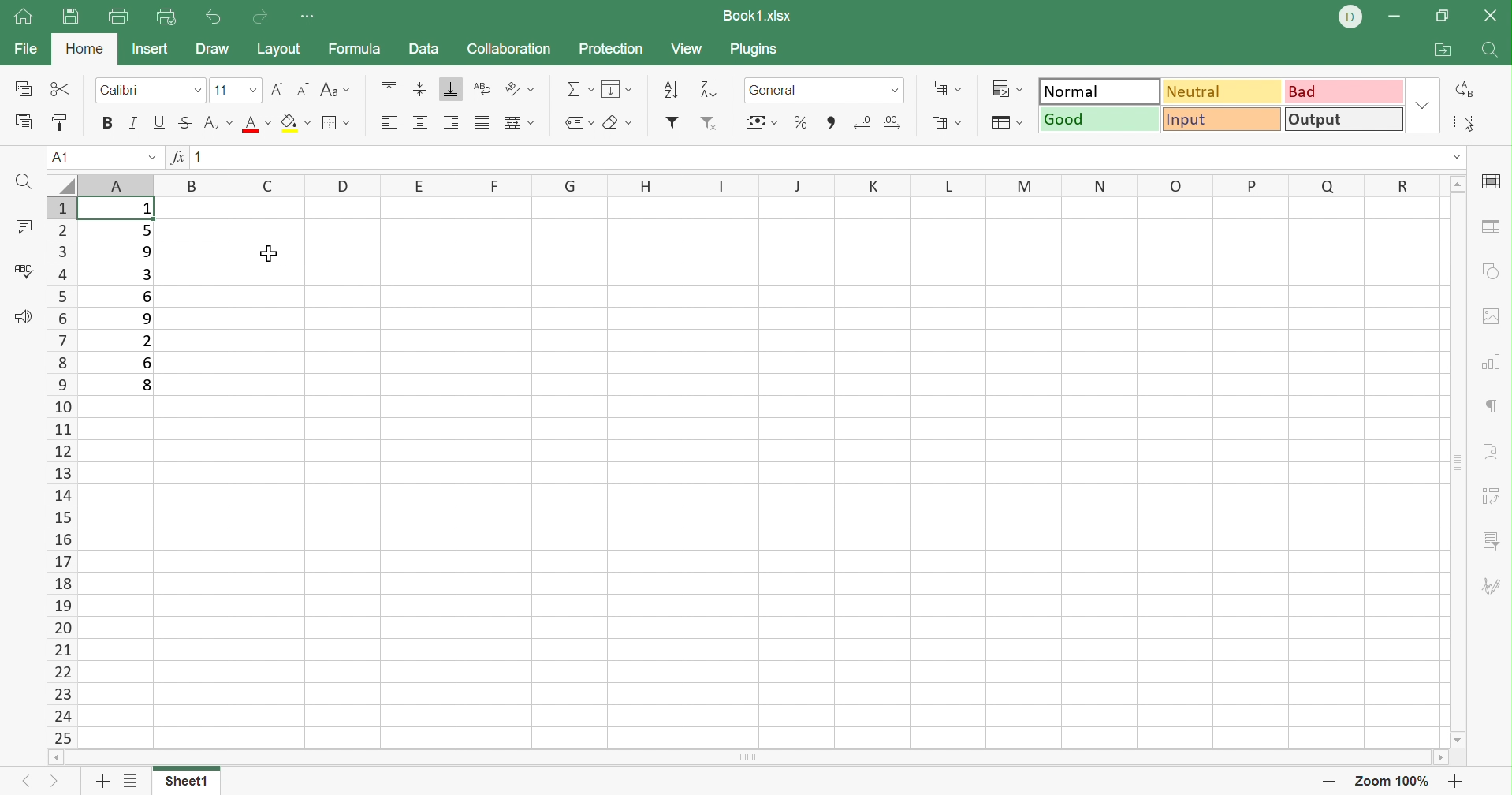 Image resolution: width=1512 pixels, height=795 pixels. What do you see at coordinates (1458, 159) in the screenshot?
I see `Drop Down` at bounding box center [1458, 159].